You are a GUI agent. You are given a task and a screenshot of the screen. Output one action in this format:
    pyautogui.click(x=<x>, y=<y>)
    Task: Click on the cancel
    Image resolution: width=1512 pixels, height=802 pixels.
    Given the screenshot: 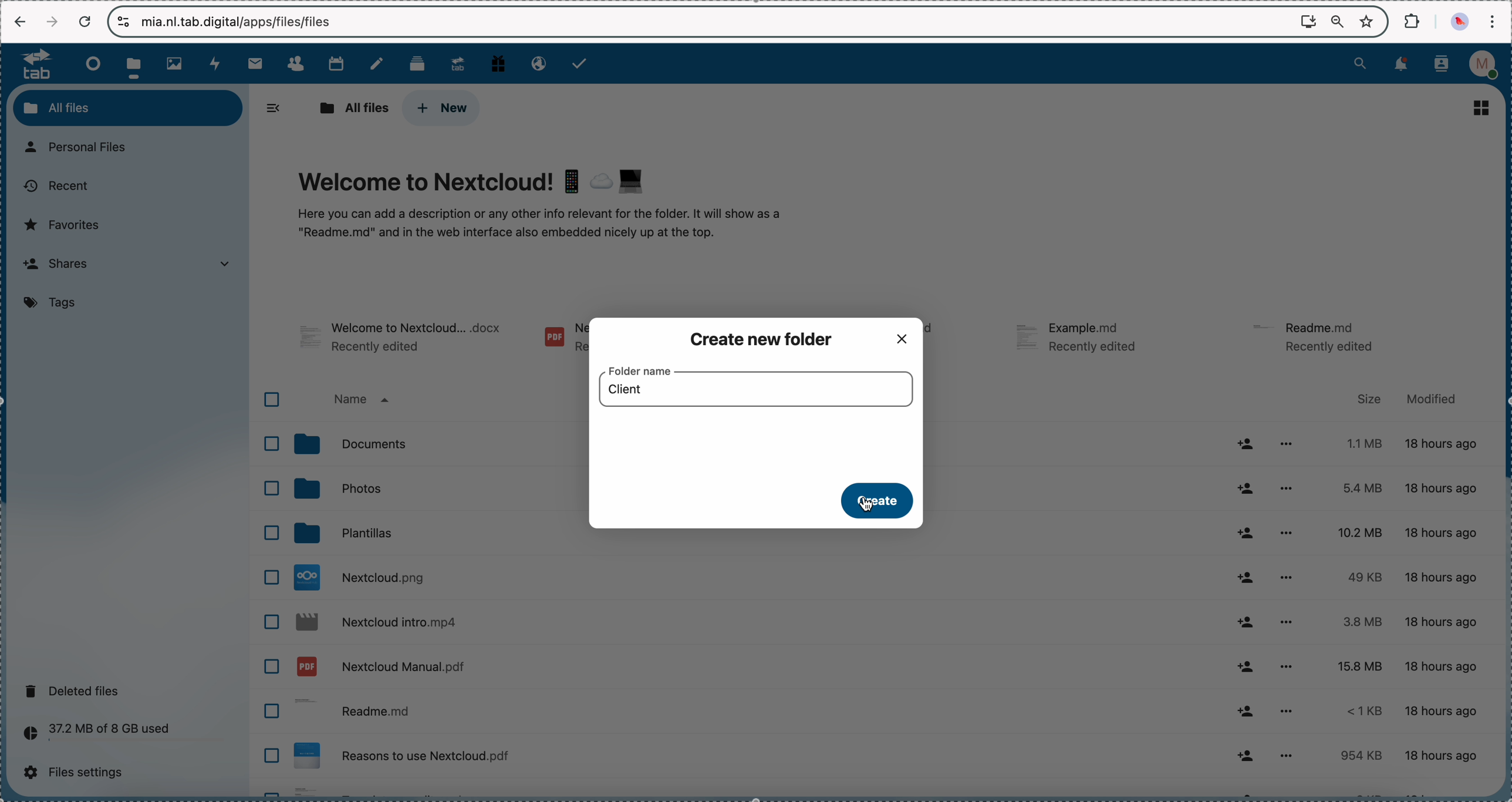 What is the action you would take?
    pyautogui.click(x=84, y=22)
    